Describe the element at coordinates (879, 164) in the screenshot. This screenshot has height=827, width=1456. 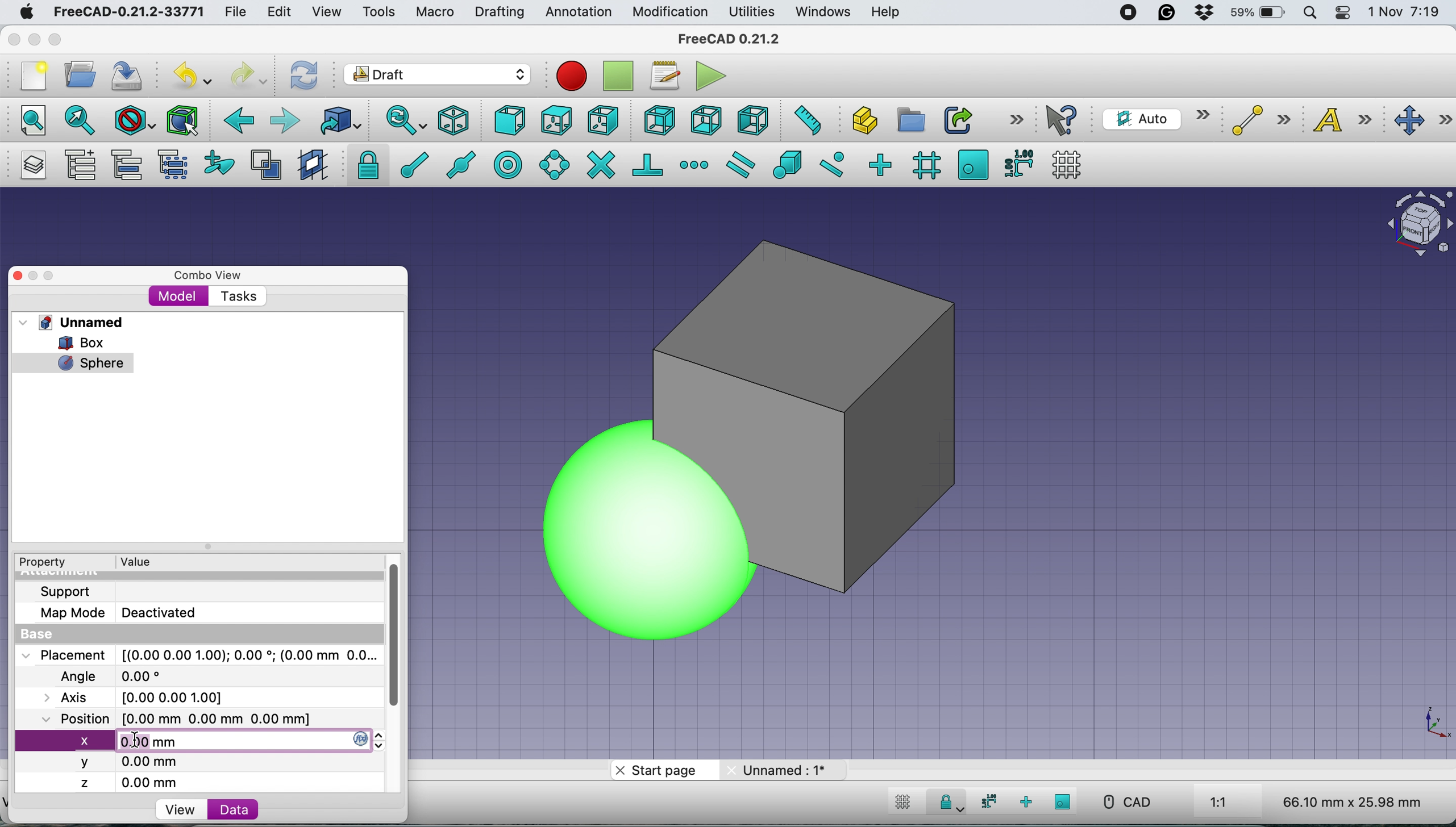
I see `snap ortho` at that location.